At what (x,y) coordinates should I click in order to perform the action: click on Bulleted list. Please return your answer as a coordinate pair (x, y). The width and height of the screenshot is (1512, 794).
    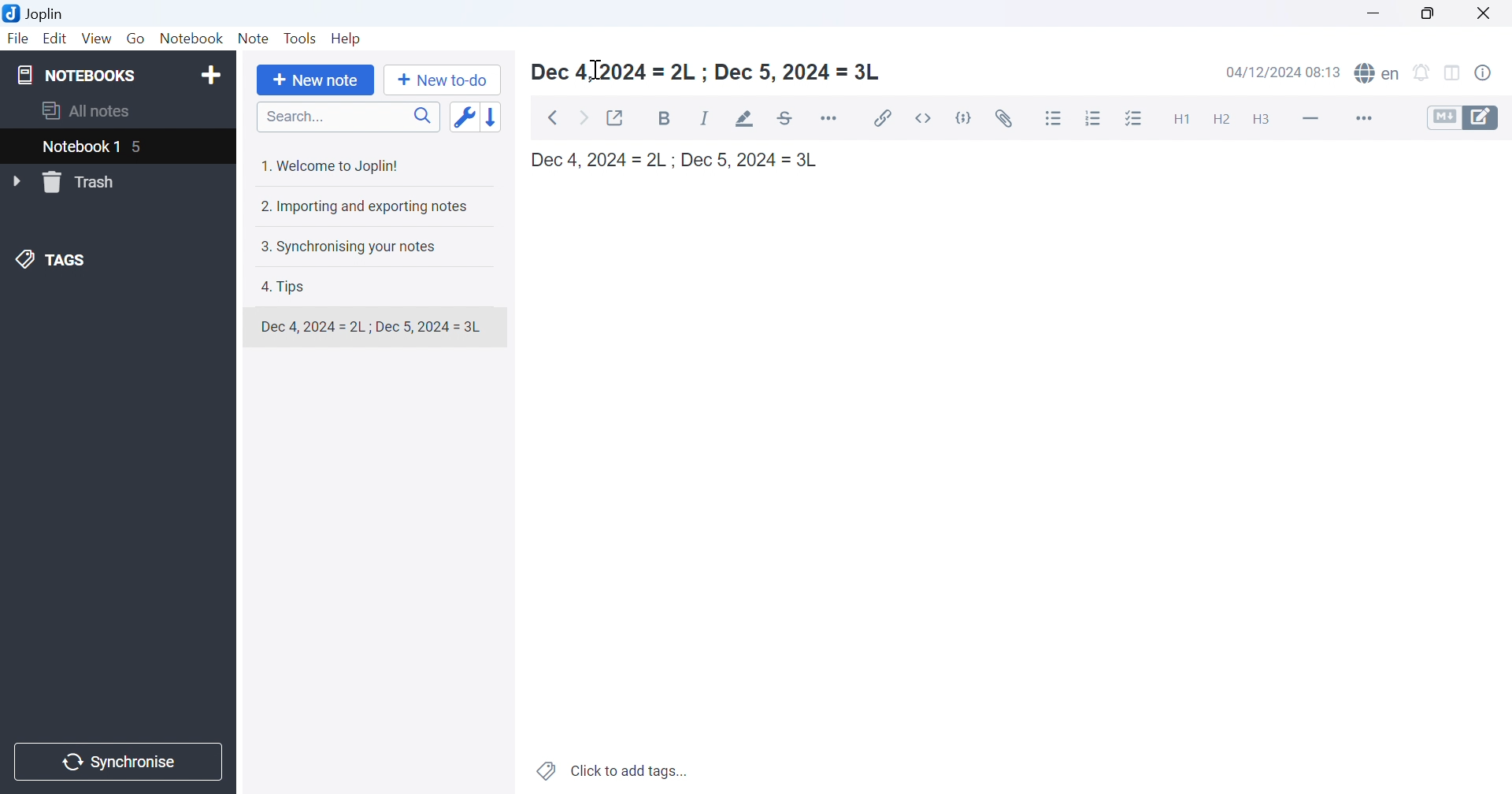
    Looking at the image, I should click on (1056, 119).